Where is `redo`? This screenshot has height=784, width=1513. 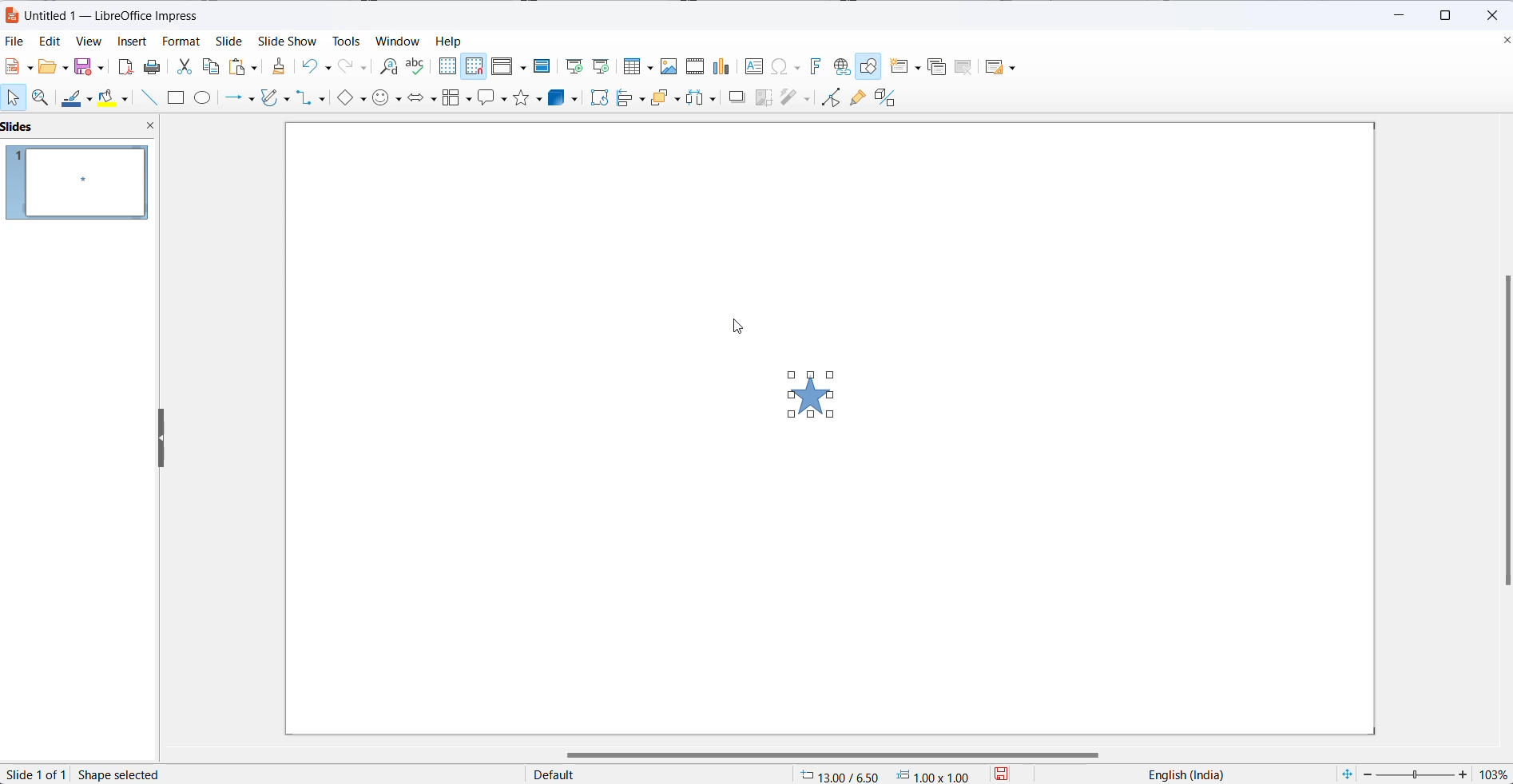
redo is located at coordinates (354, 66).